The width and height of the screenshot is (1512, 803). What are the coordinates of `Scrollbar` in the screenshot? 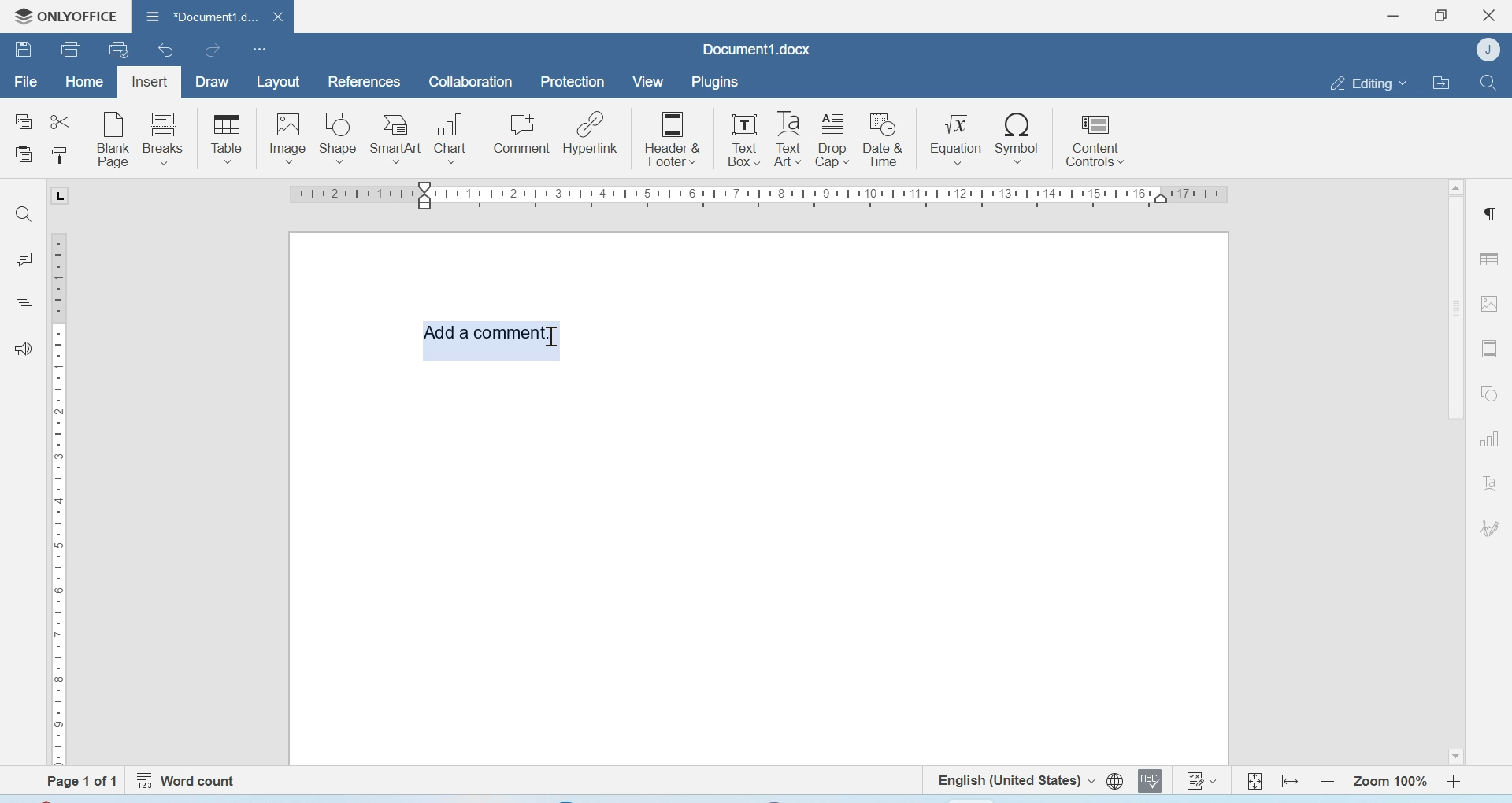 It's located at (1455, 470).